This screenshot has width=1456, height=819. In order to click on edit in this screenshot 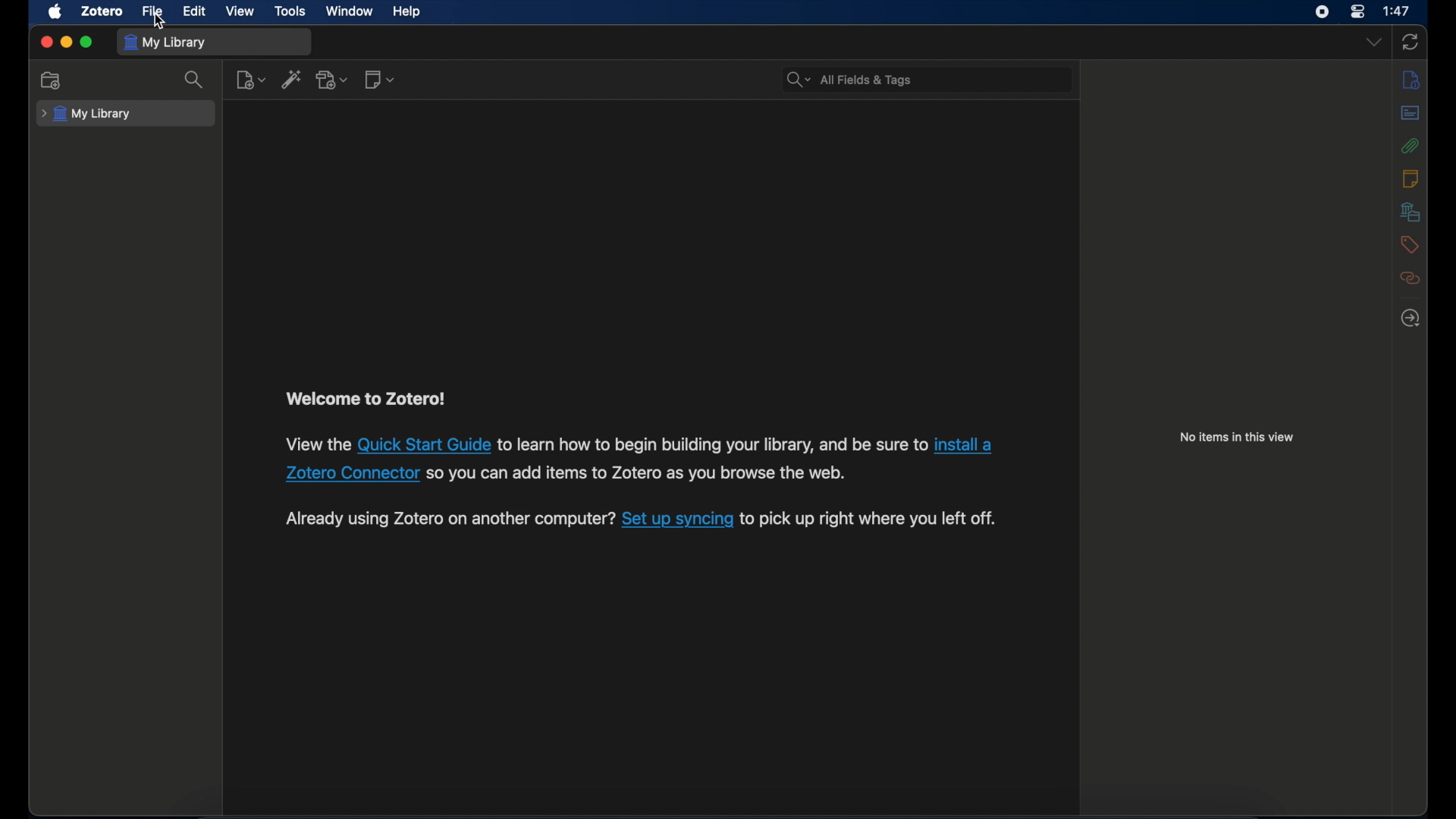, I will do `click(194, 11)`.